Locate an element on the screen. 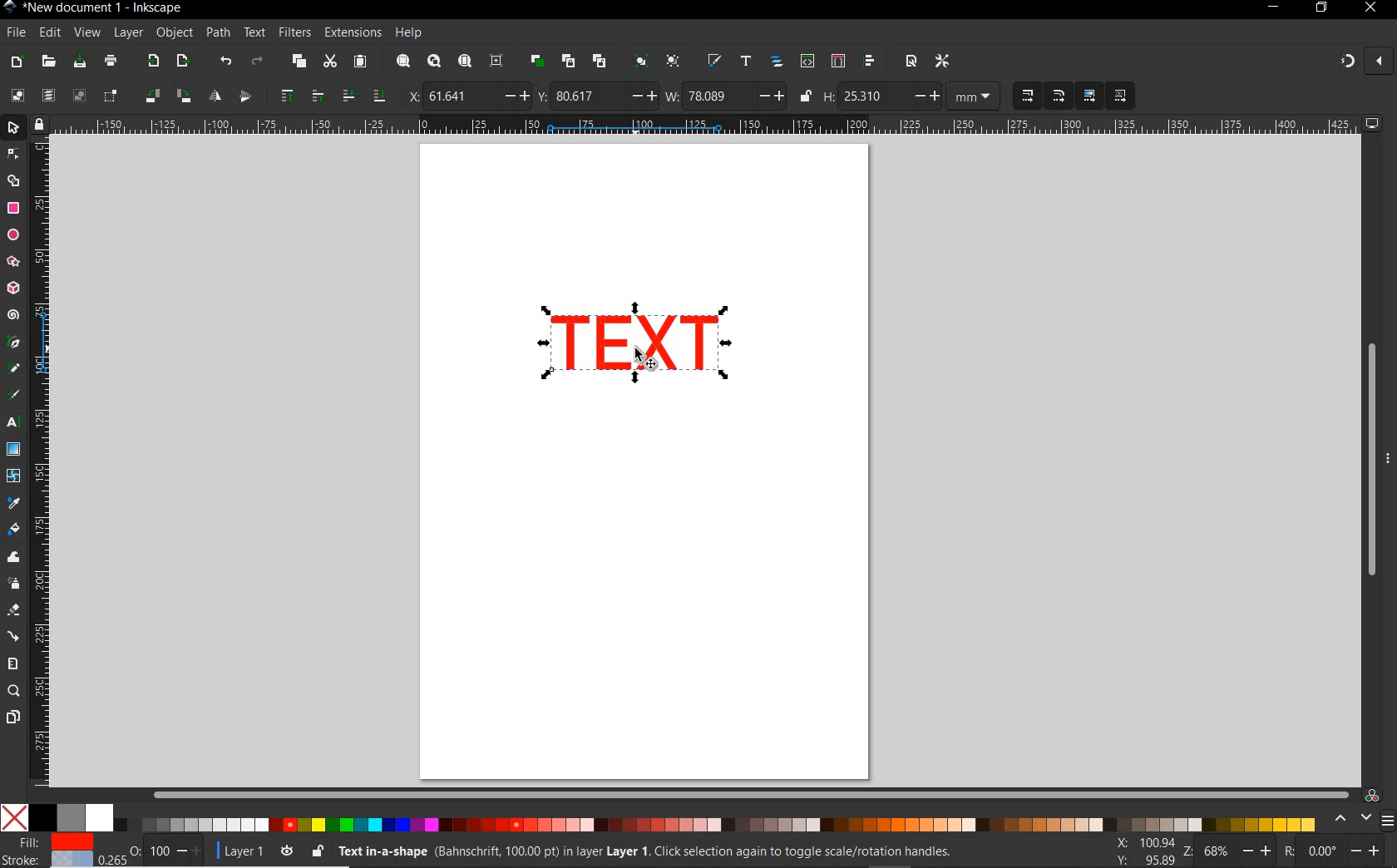  ENABLE SNAPPING TOOL is located at coordinates (1356, 62).